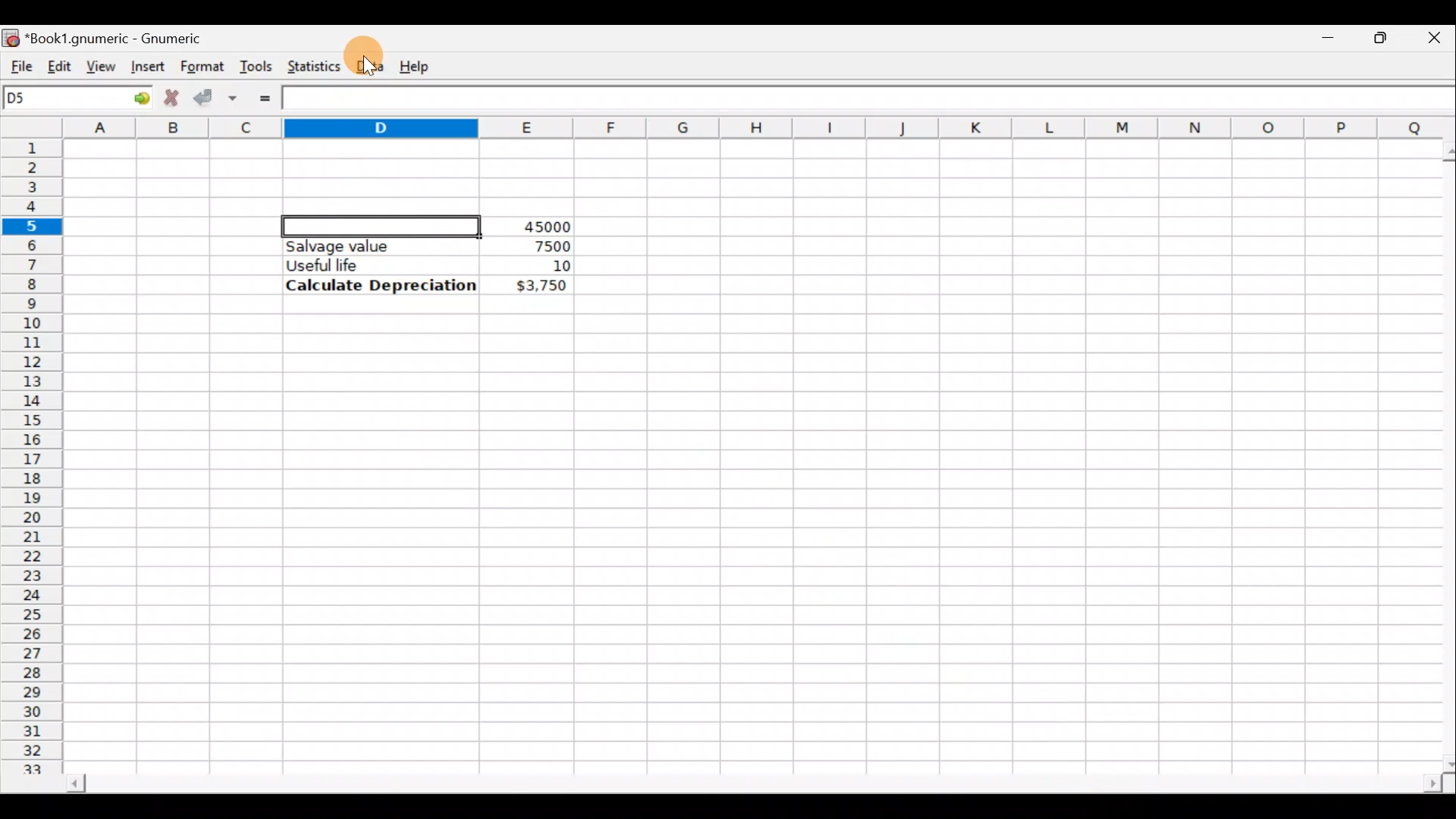  I want to click on Edit, so click(59, 63).